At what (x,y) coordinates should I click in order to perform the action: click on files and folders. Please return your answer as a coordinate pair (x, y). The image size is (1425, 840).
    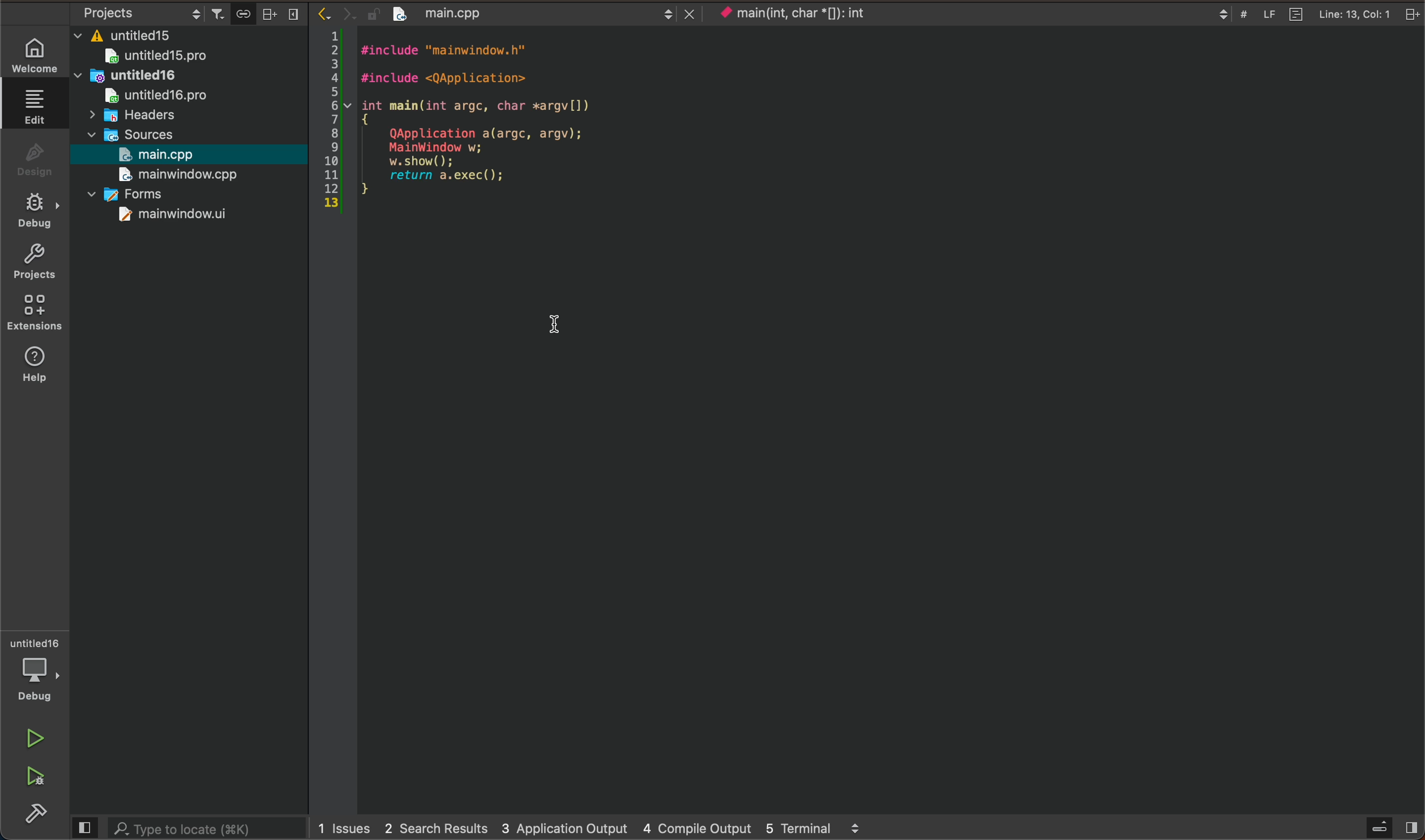
    Looking at the image, I should click on (193, 34).